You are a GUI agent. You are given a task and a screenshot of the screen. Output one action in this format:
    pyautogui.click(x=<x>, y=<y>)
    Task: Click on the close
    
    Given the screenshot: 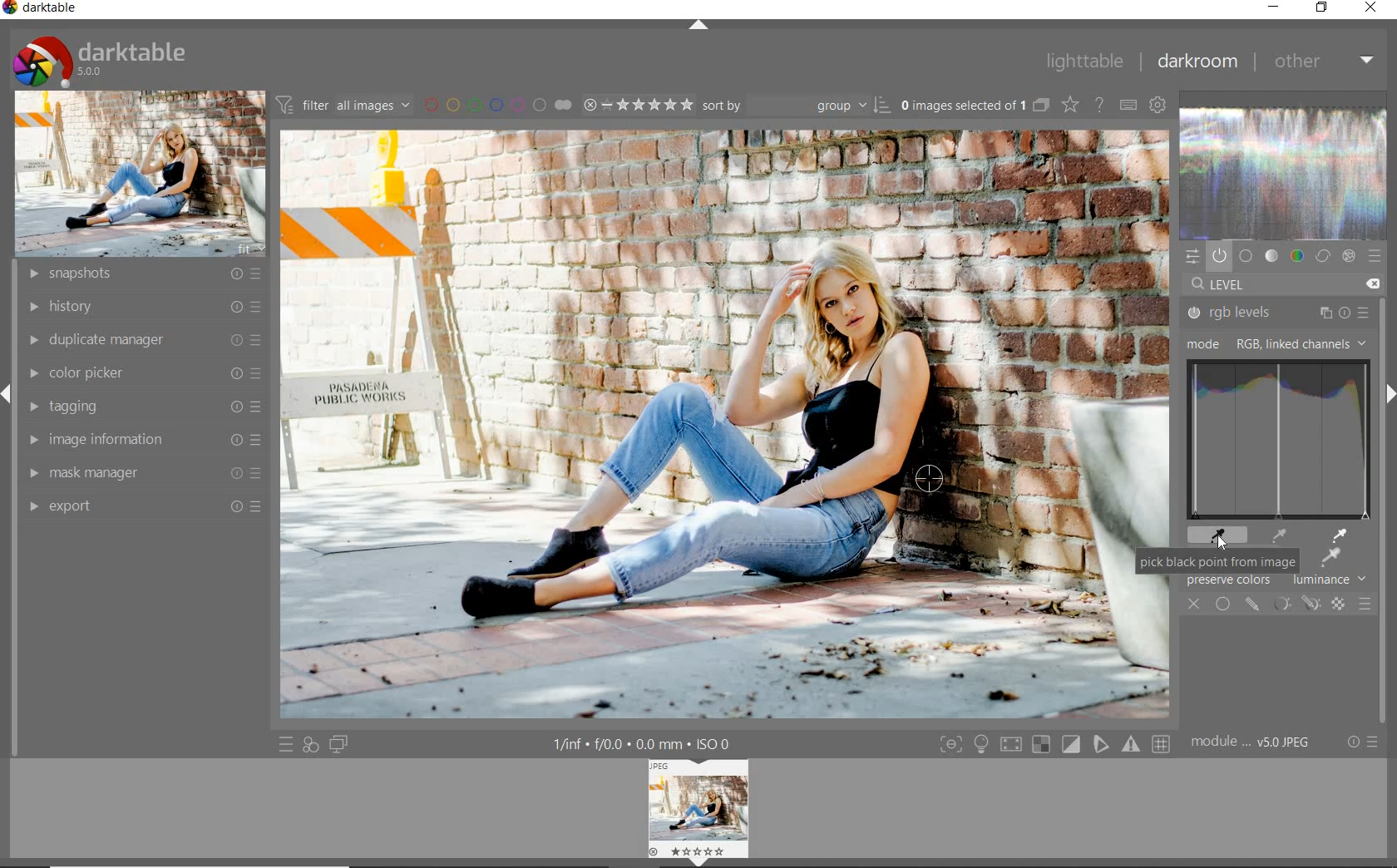 What is the action you would take?
    pyautogui.click(x=1194, y=602)
    